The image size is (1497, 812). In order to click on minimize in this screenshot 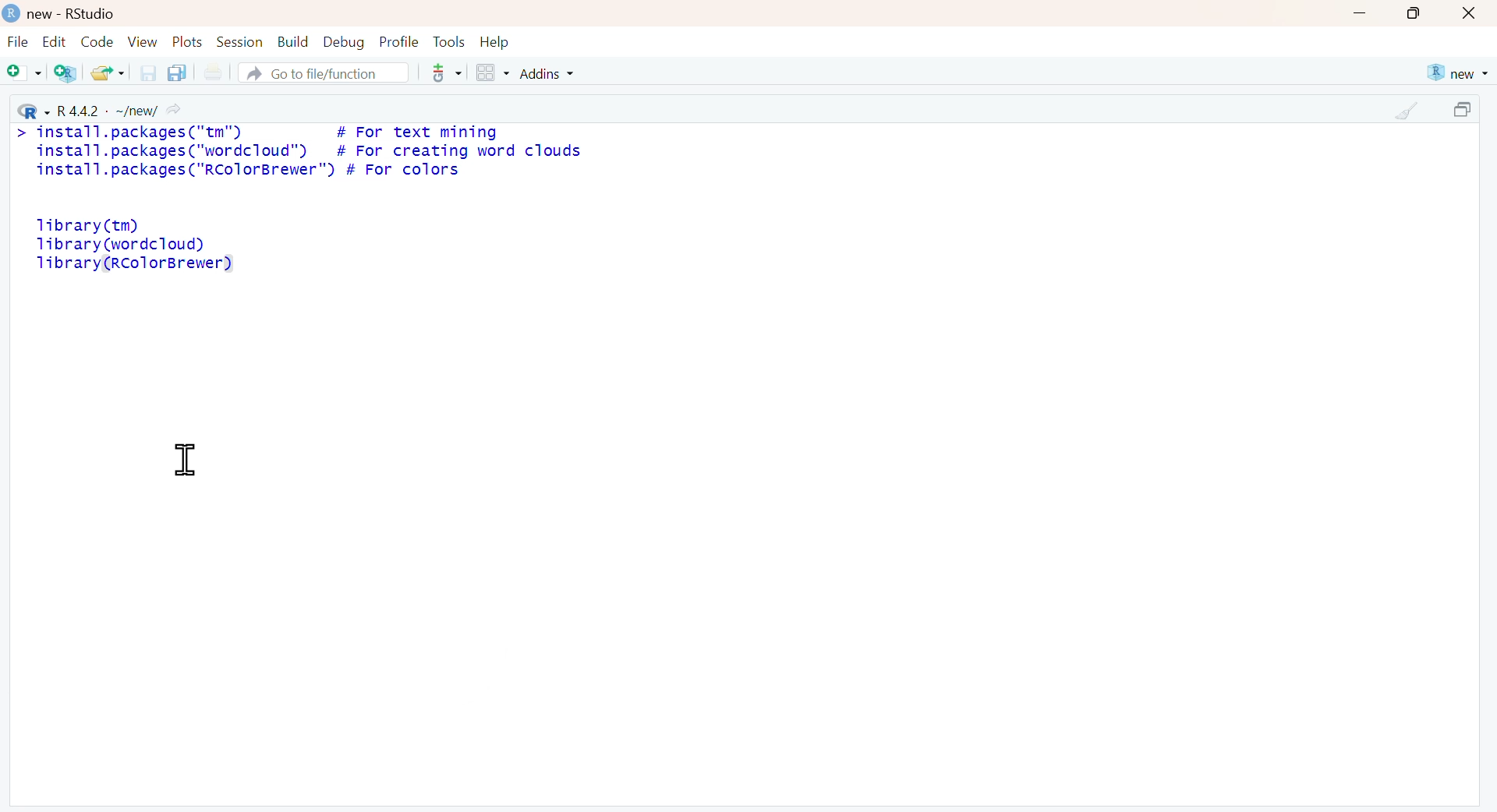, I will do `click(1361, 12)`.